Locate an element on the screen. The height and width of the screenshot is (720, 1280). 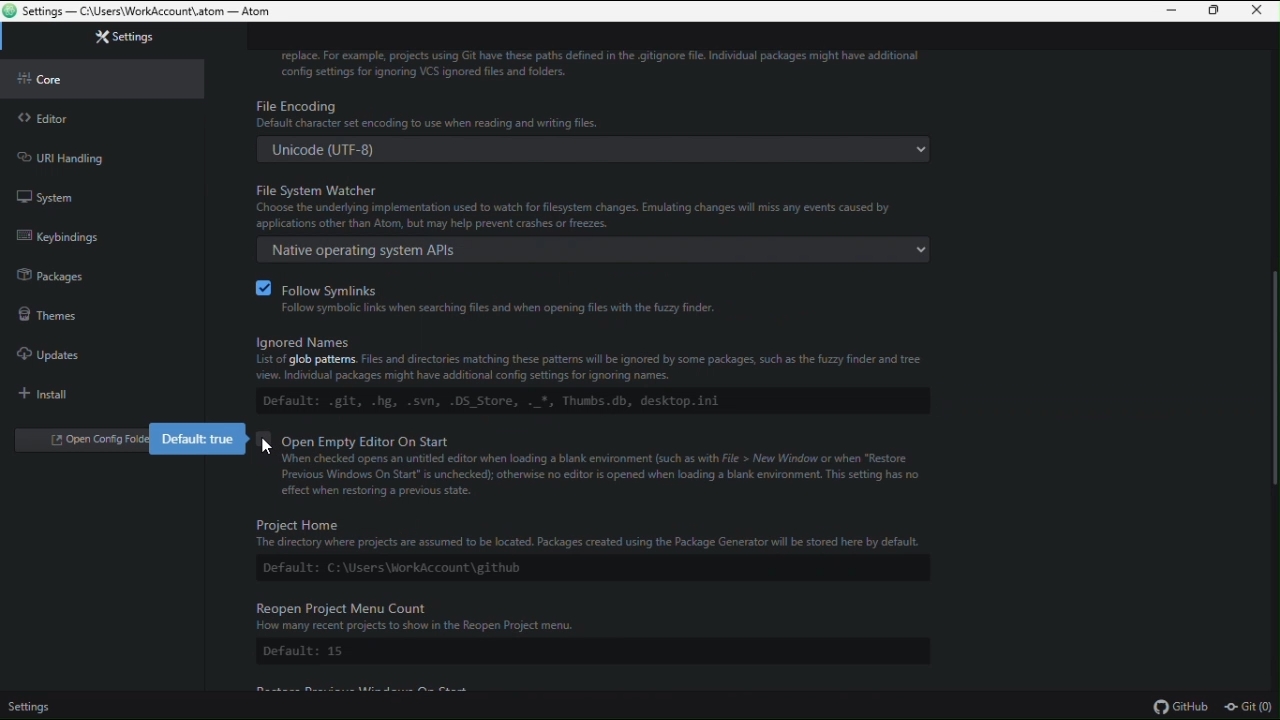
follow symlinks is located at coordinates (606, 293).